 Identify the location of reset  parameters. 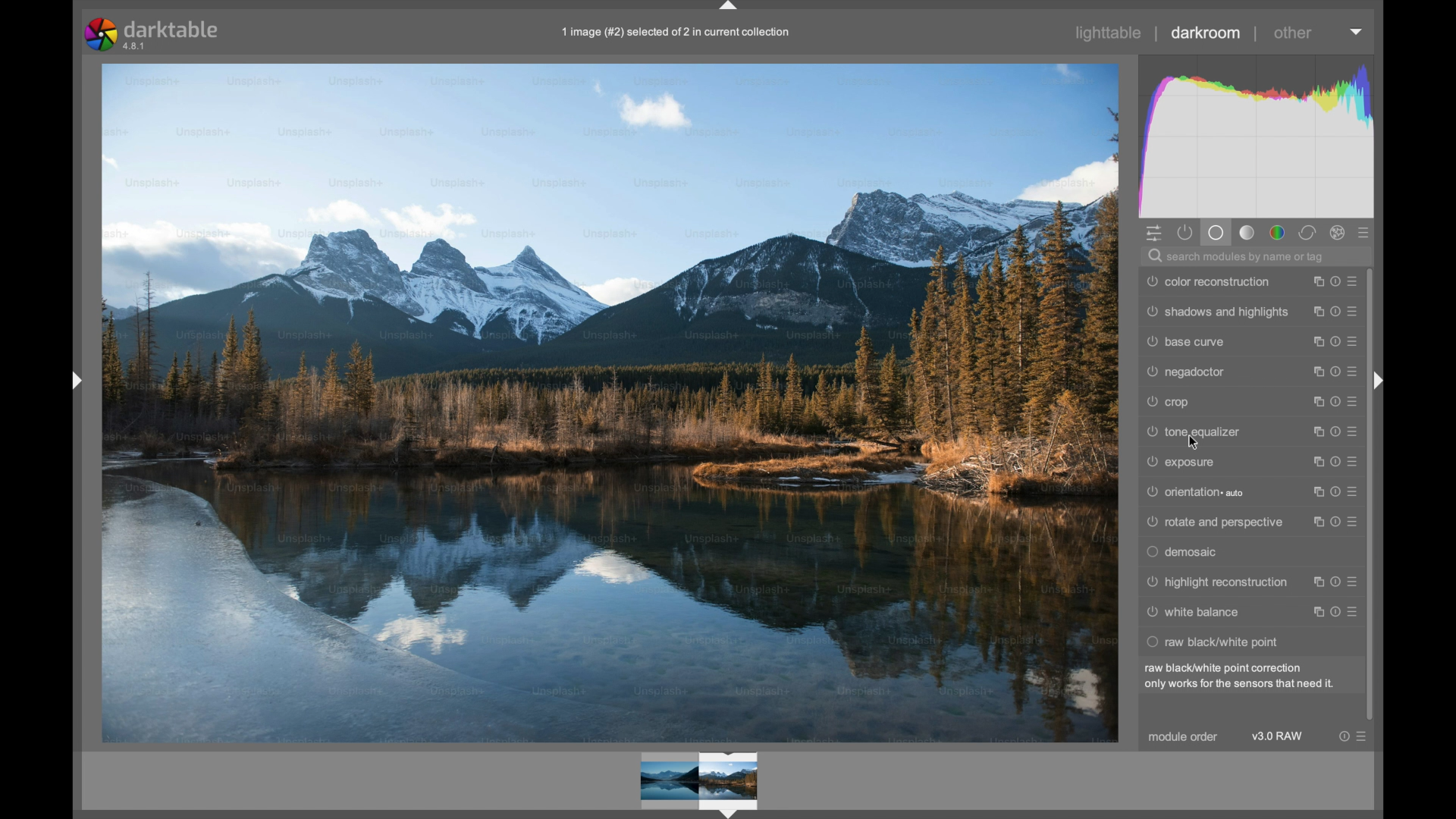
(1336, 312).